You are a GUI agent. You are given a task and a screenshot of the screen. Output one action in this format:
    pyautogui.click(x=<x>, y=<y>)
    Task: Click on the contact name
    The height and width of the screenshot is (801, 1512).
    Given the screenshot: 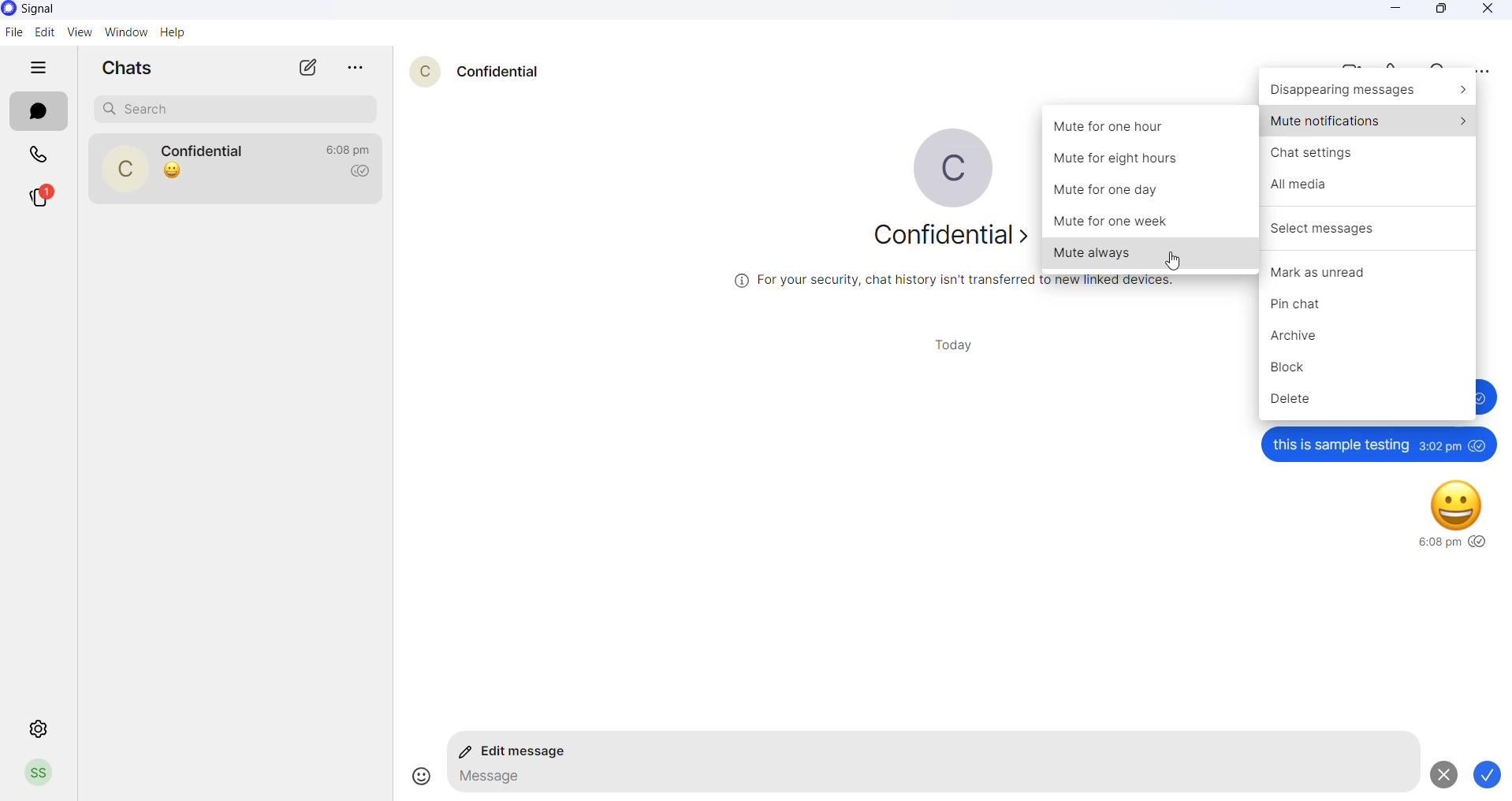 What is the action you would take?
    pyautogui.click(x=208, y=149)
    